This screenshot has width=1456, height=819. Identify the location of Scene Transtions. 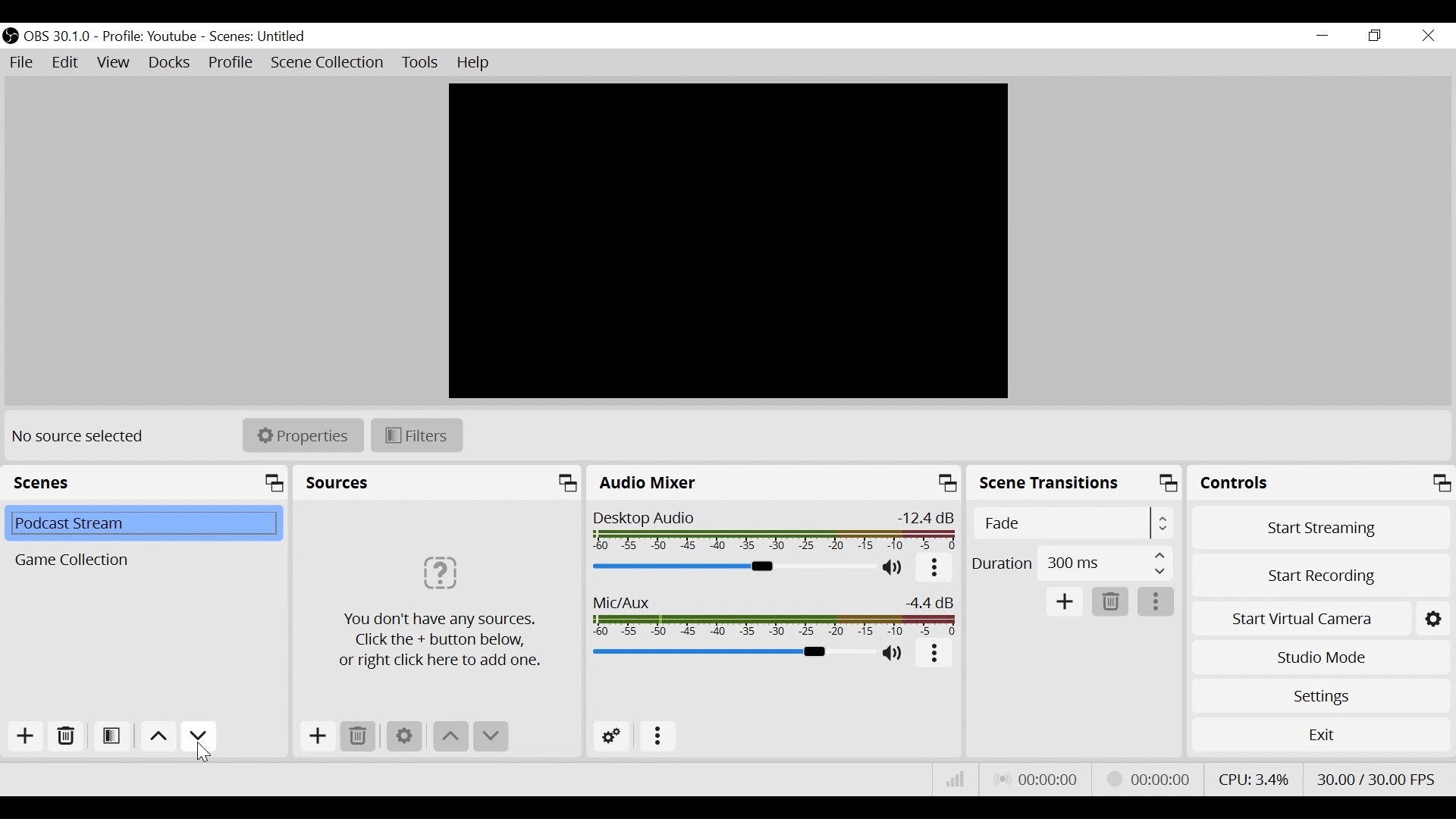
(1075, 483).